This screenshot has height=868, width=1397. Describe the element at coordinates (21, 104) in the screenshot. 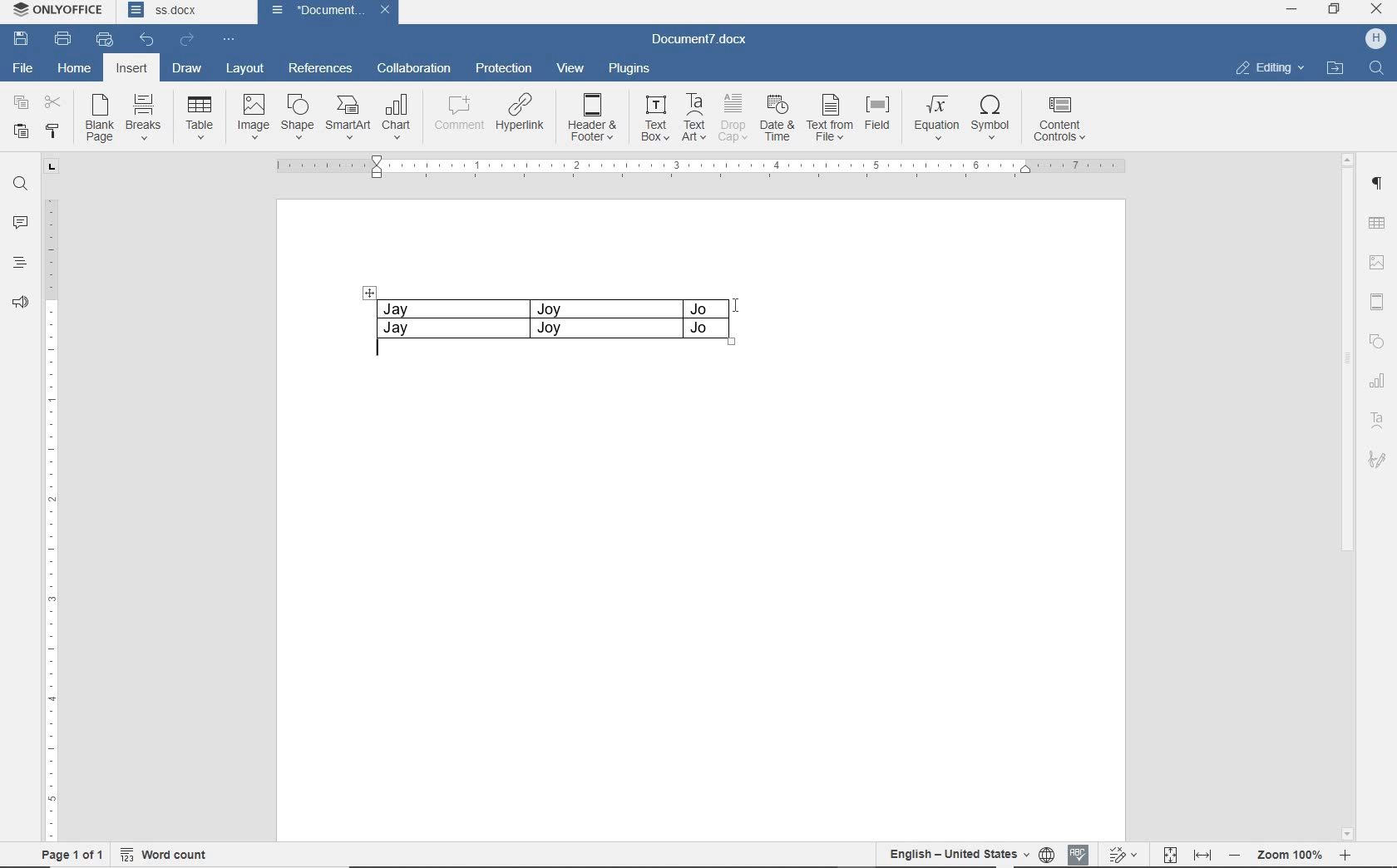

I see `COPY` at that location.